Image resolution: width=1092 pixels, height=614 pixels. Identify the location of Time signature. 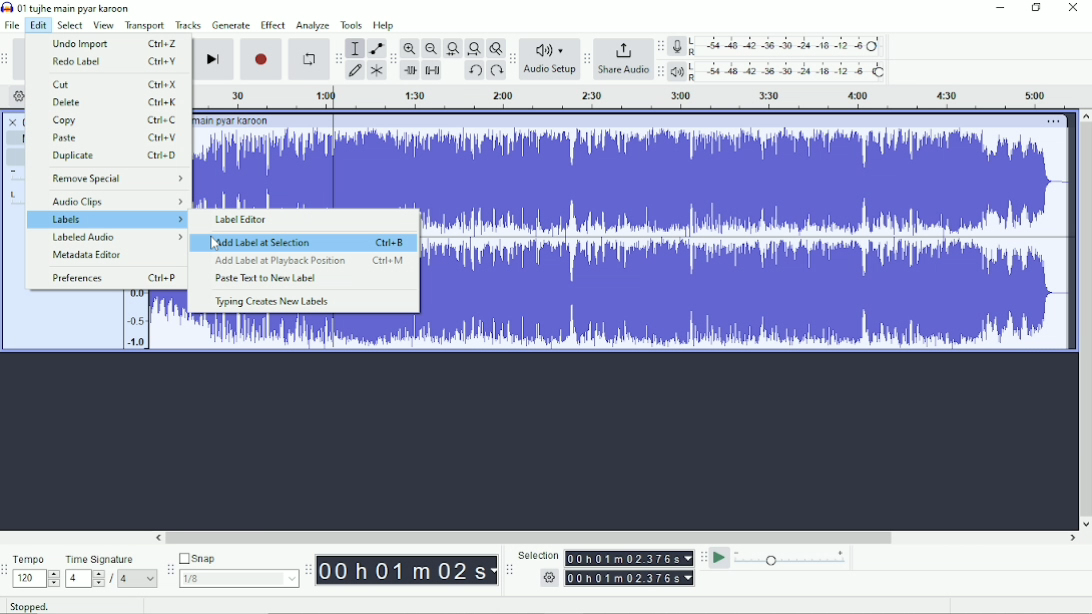
(112, 569).